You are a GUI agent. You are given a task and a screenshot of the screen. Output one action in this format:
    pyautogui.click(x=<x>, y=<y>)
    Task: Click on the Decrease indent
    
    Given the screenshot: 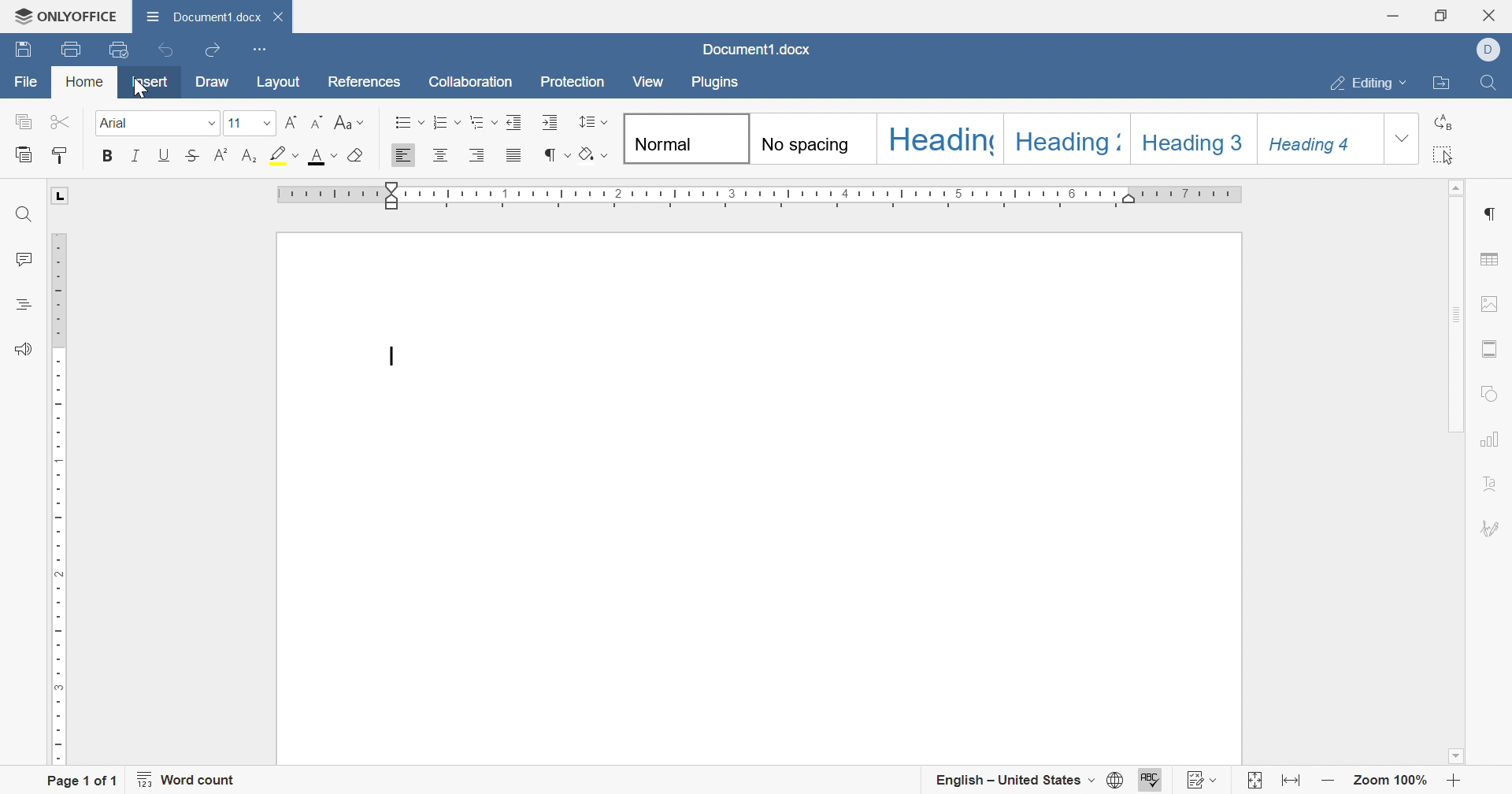 What is the action you would take?
    pyautogui.click(x=516, y=122)
    